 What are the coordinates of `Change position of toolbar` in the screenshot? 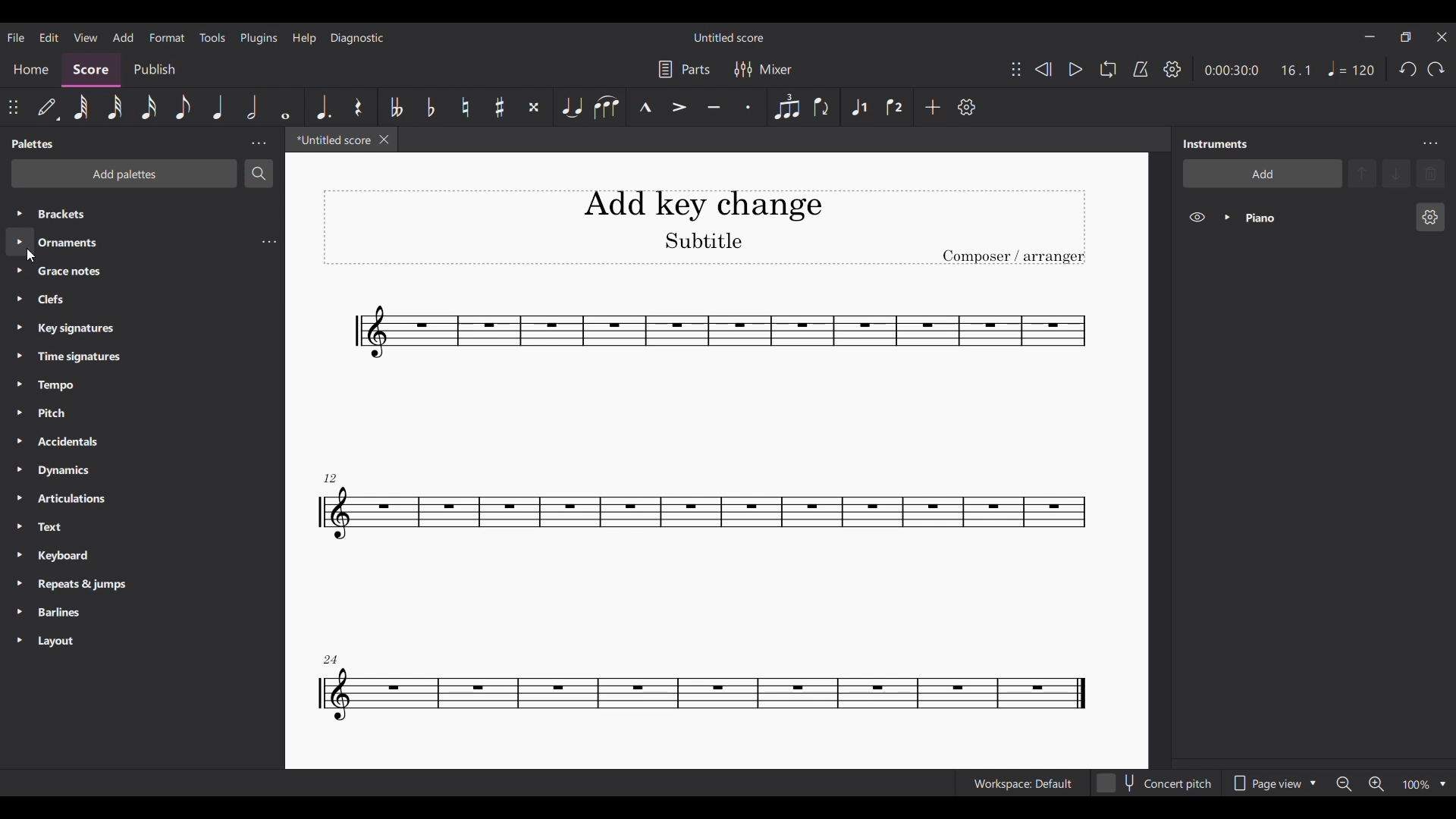 It's located at (13, 108).